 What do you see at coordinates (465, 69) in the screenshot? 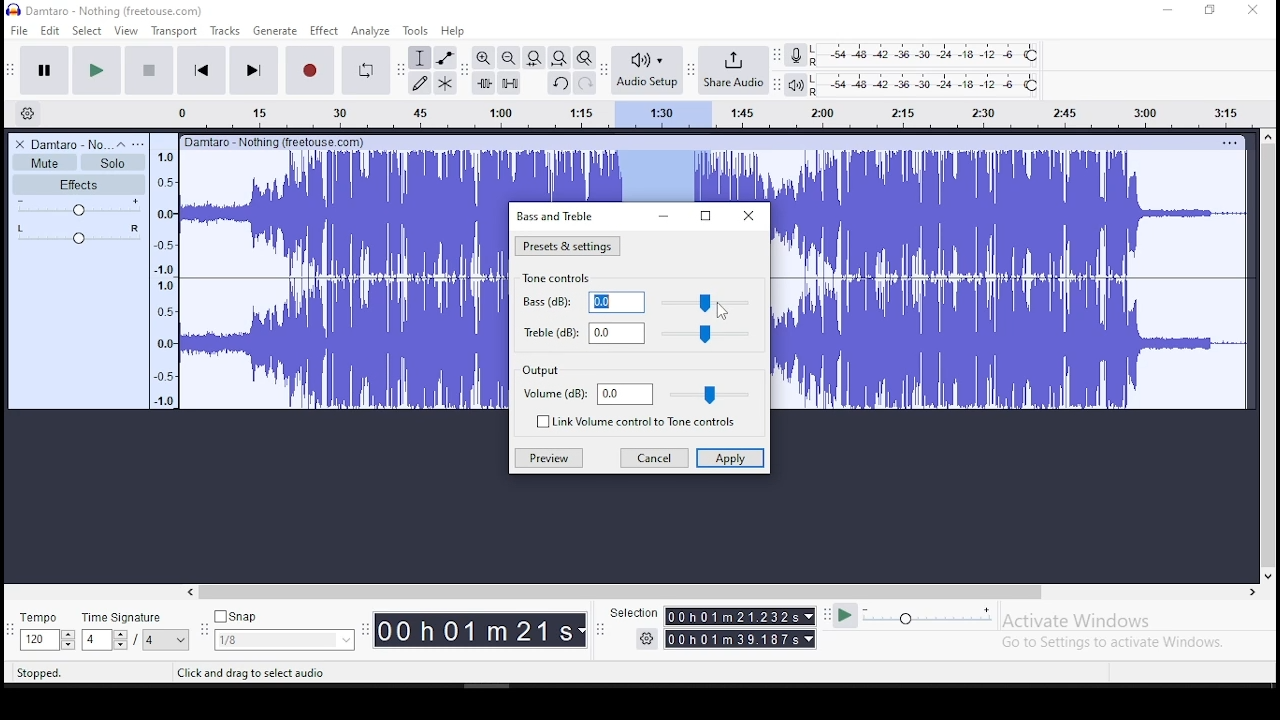
I see `` at bounding box center [465, 69].